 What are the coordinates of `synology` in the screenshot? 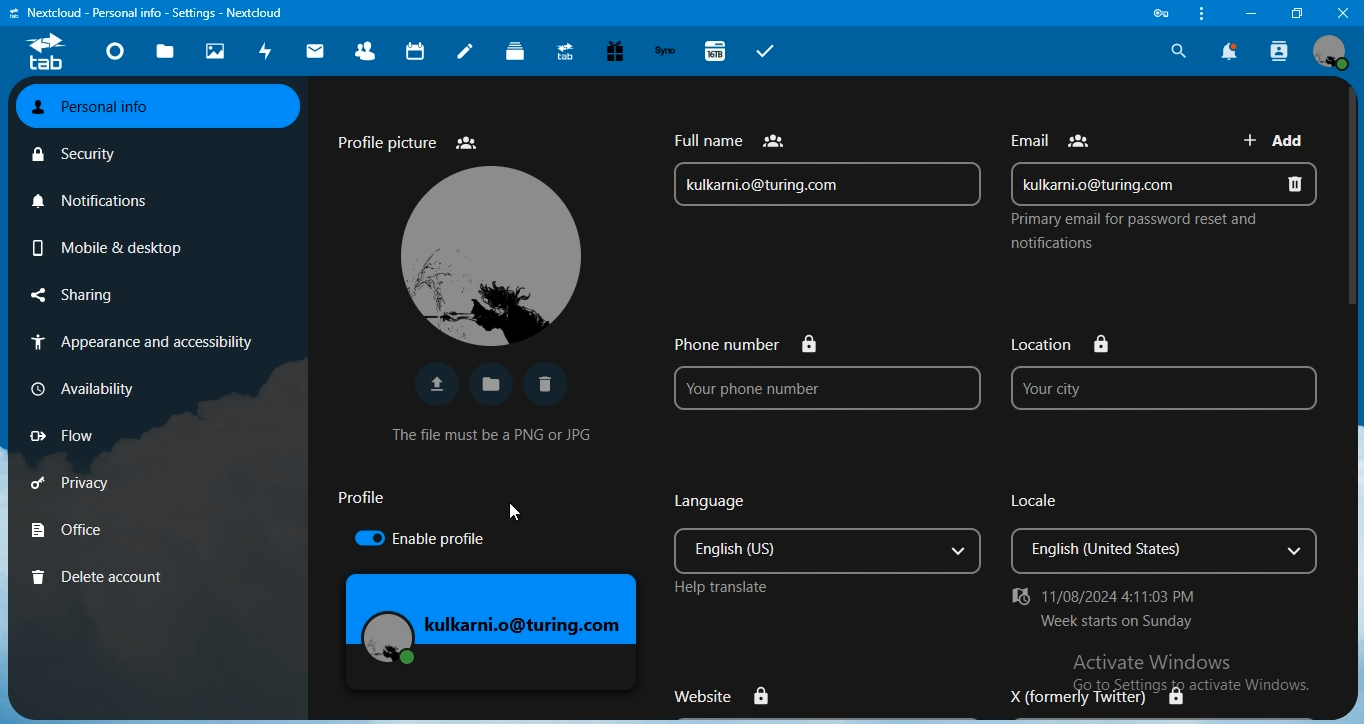 It's located at (668, 51).